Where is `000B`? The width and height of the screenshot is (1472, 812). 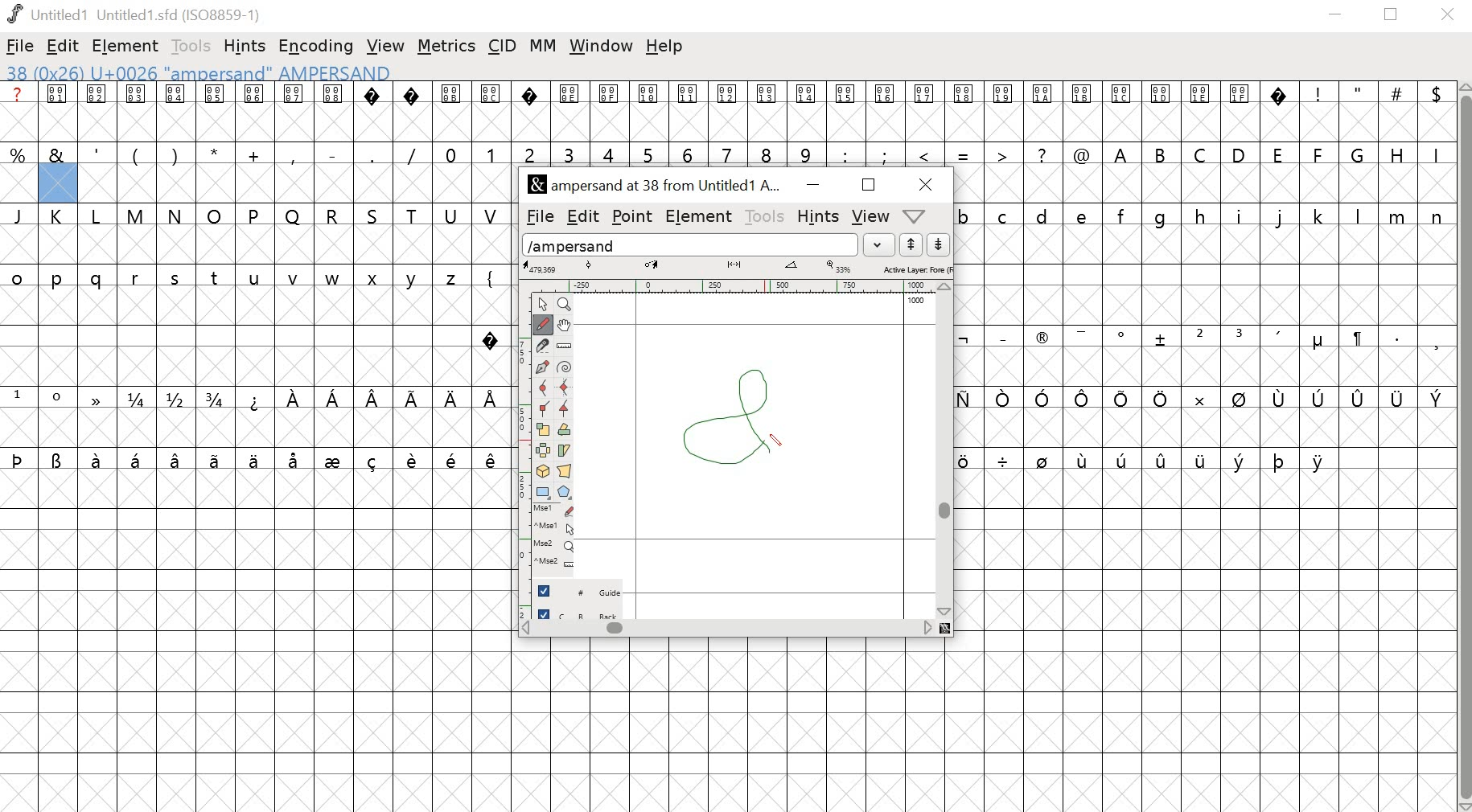 000B is located at coordinates (450, 111).